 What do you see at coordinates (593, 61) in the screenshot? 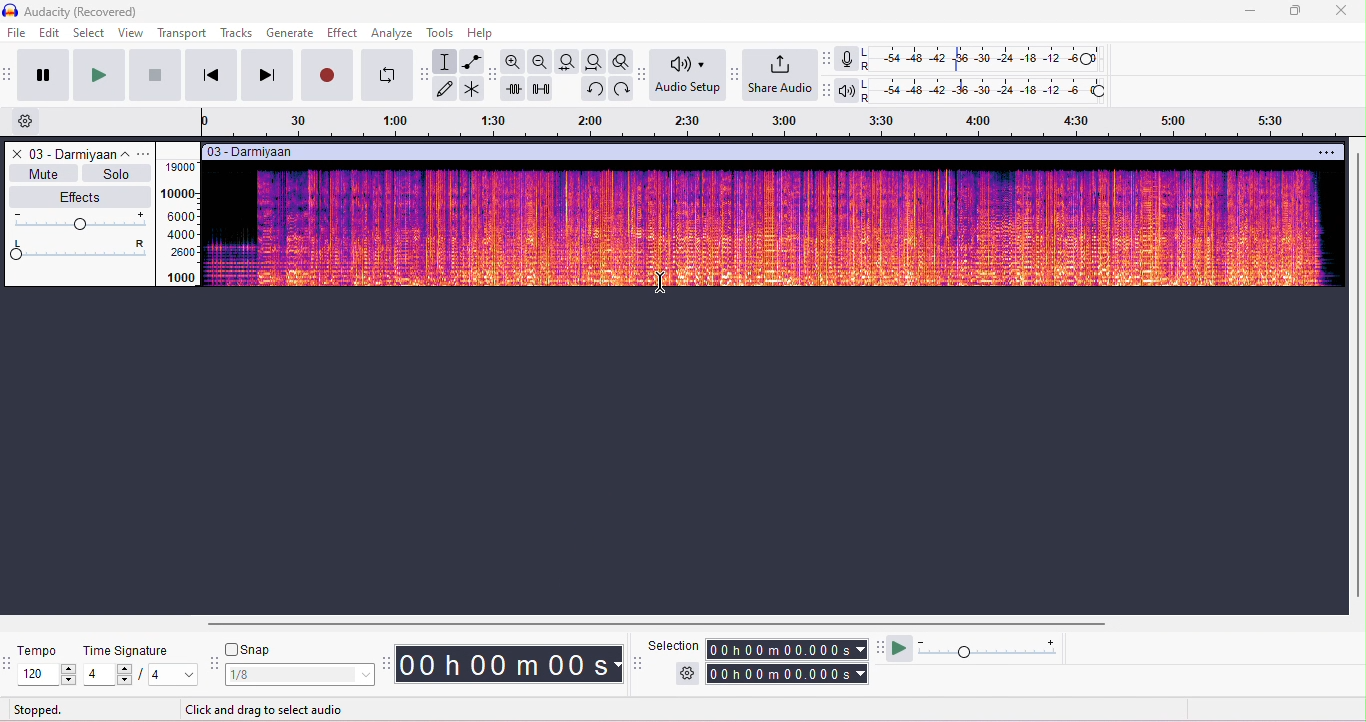
I see `fit project to width` at bounding box center [593, 61].